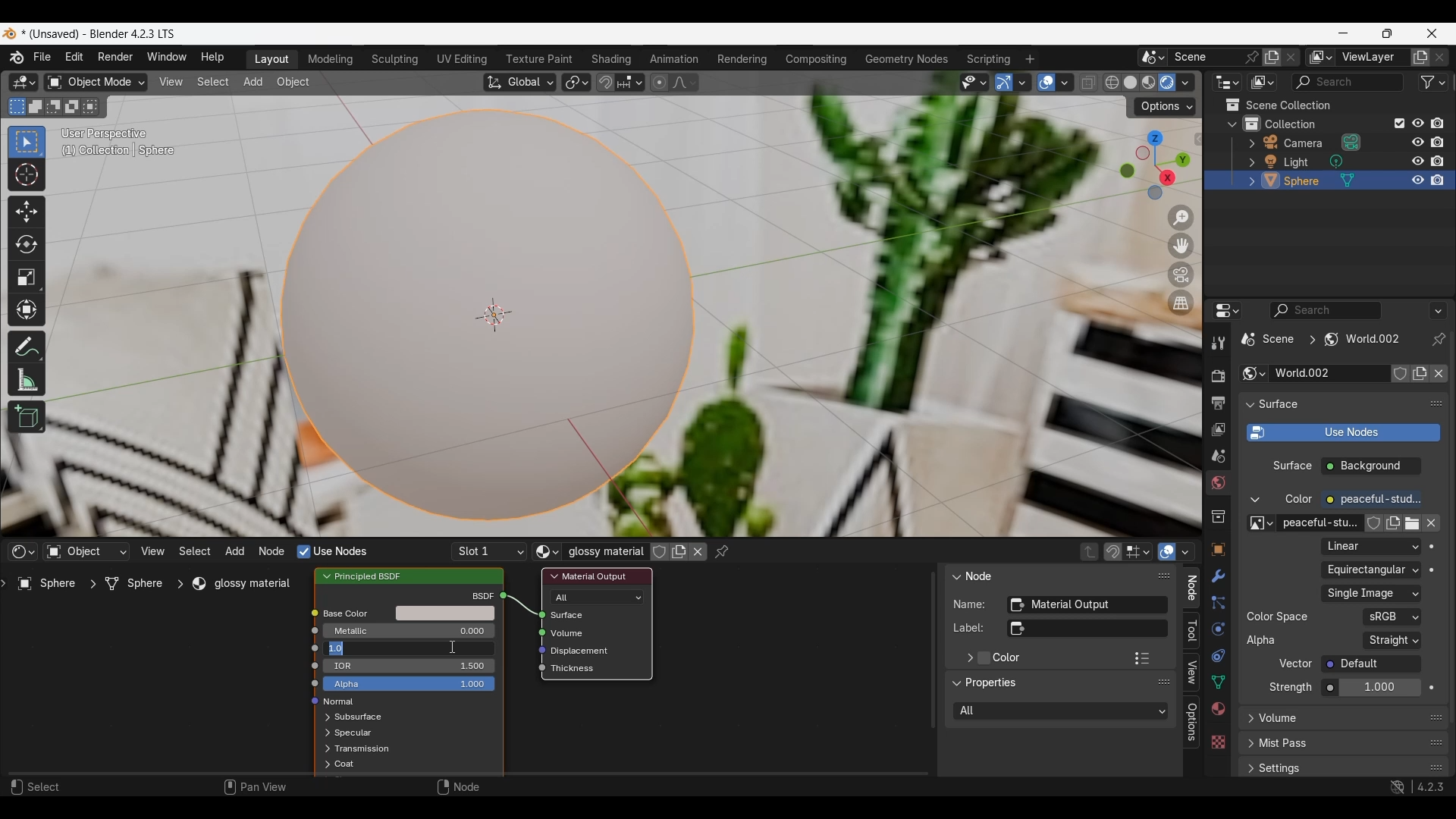 The height and width of the screenshot is (819, 1456). I want to click on Scene collection, so click(1327, 105).